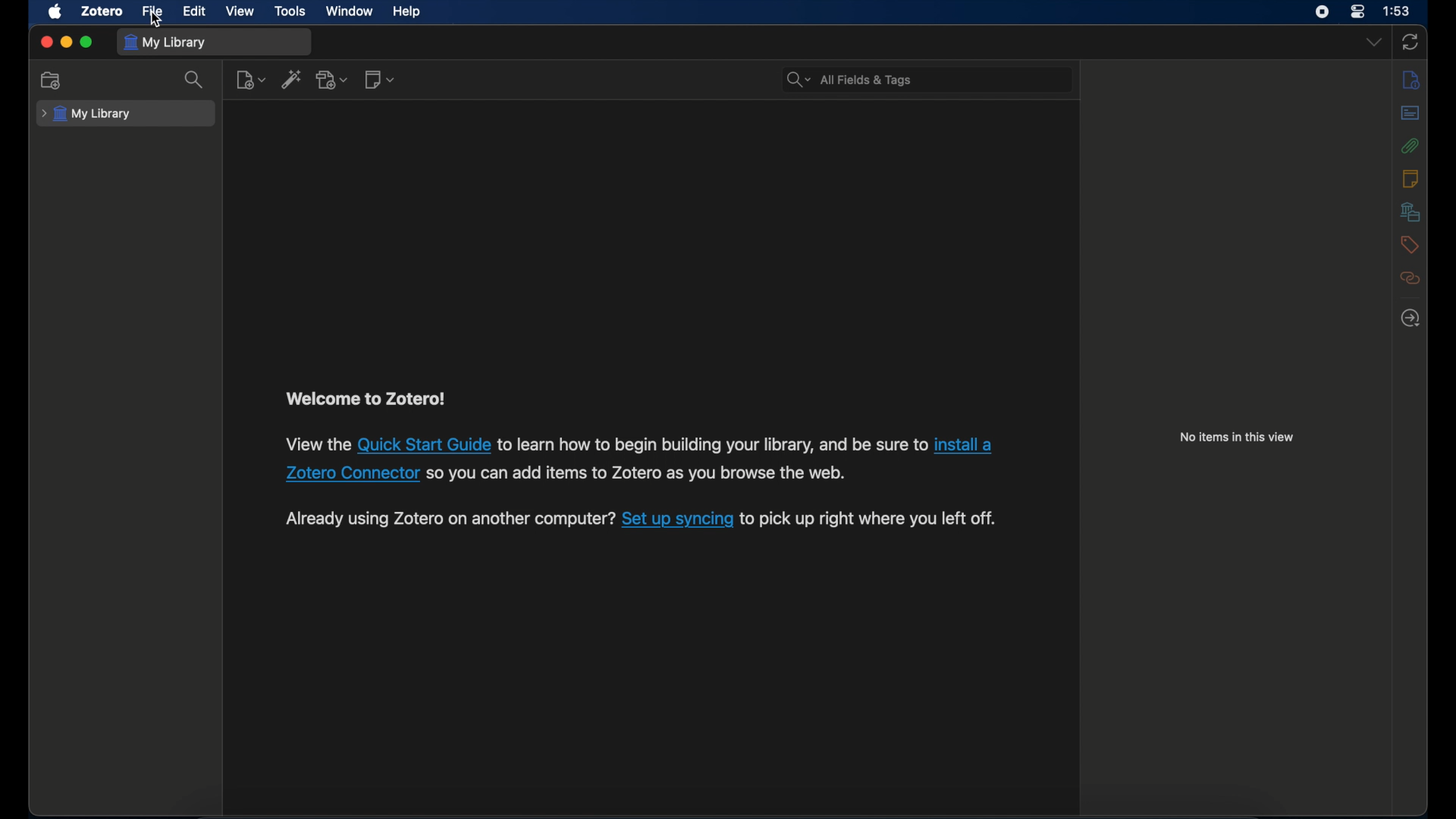 Image resolution: width=1456 pixels, height=819 pixels. Describe the element at coordinates (639, 474) in the screenshot. I see `SO you can add items to Zotero as you browse the web.` at that location.